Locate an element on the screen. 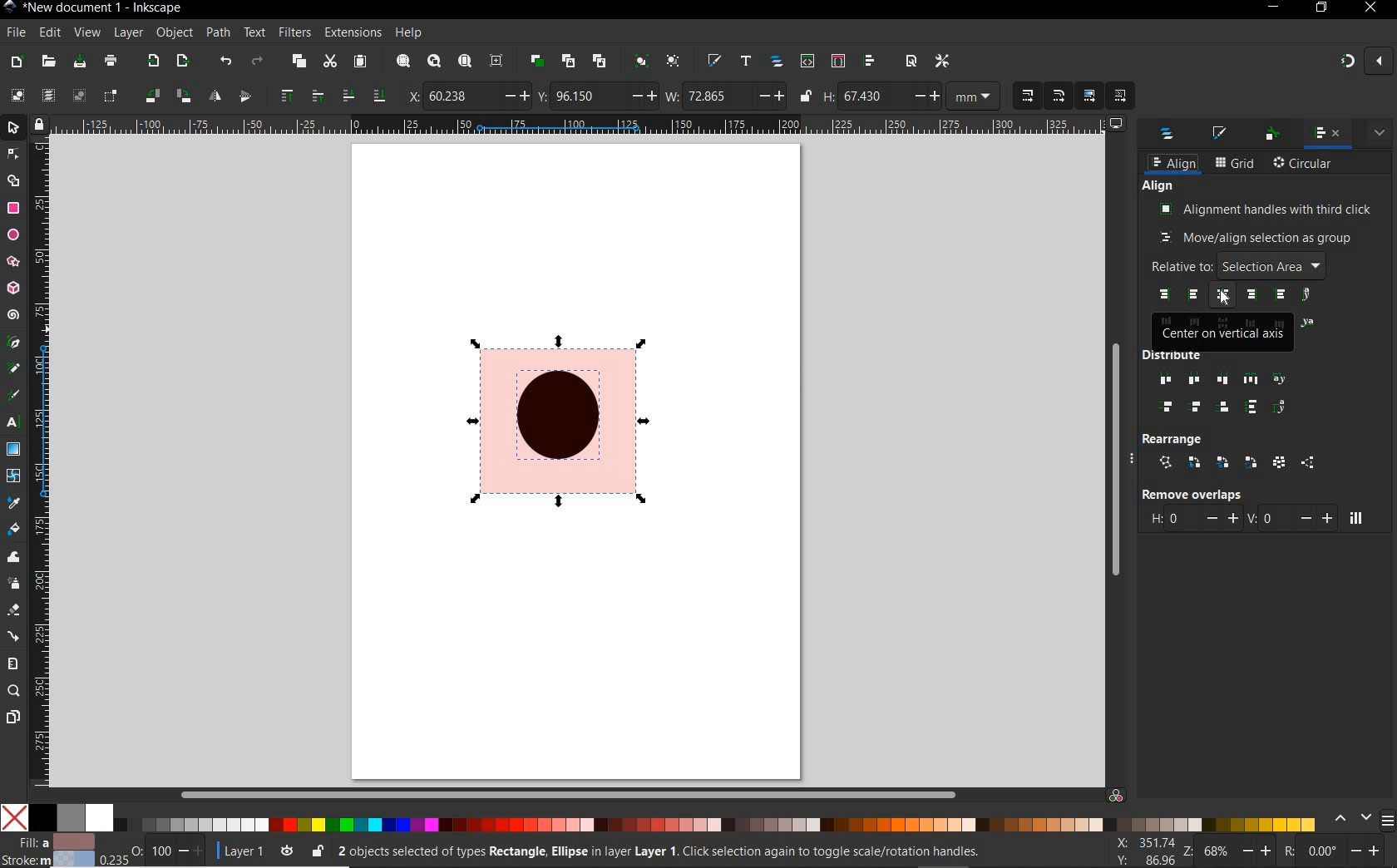 This screenshot has width=1397, height=868. EXCHANGE IN Z-ORDER is located at coordinates (1223, 462).